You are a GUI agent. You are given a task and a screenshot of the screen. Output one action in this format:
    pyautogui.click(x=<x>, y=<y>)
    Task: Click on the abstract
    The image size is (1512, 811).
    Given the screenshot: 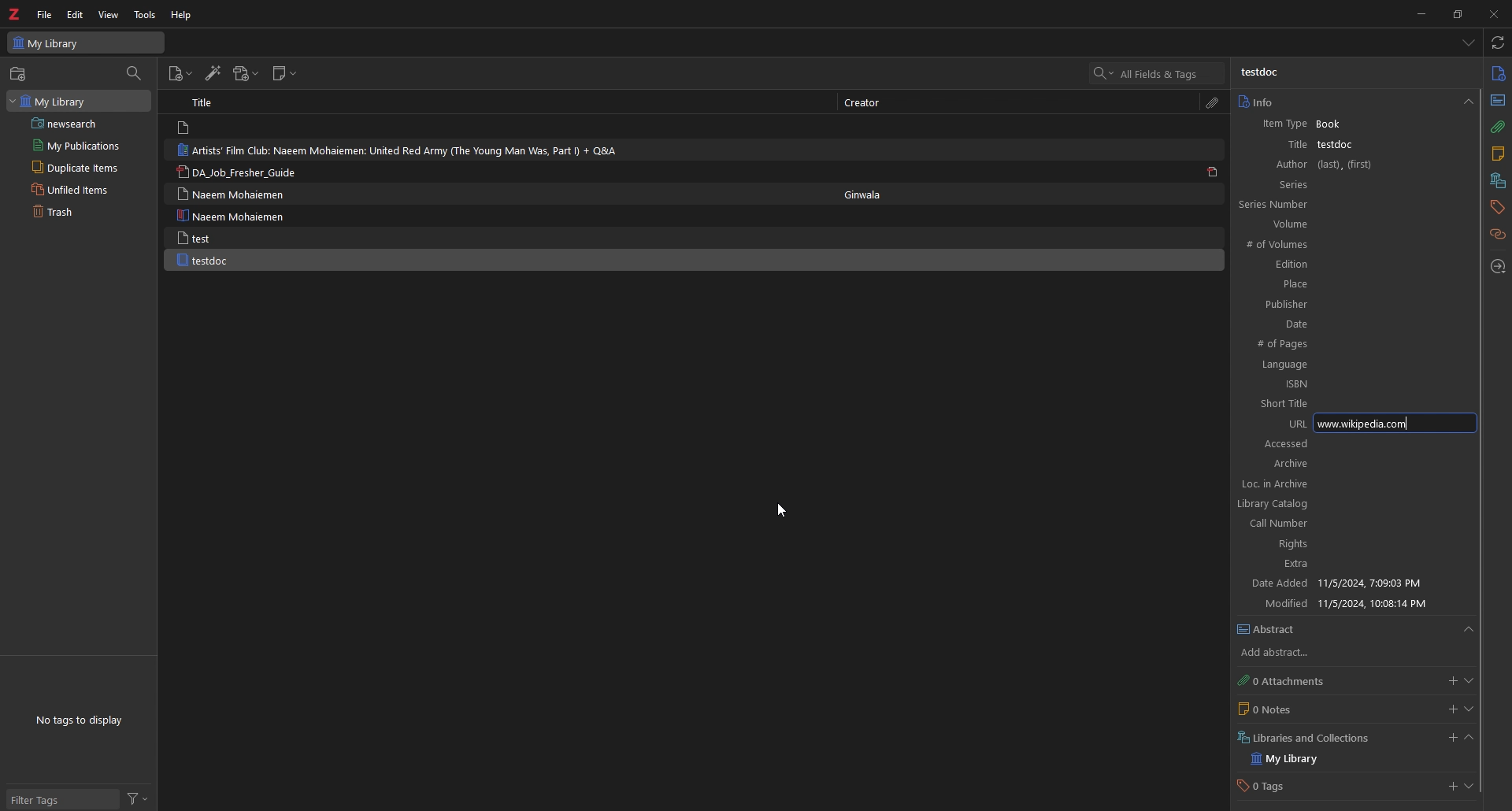 What is the action you would take?
    pyautogui.click(x=1356, y=630)
    